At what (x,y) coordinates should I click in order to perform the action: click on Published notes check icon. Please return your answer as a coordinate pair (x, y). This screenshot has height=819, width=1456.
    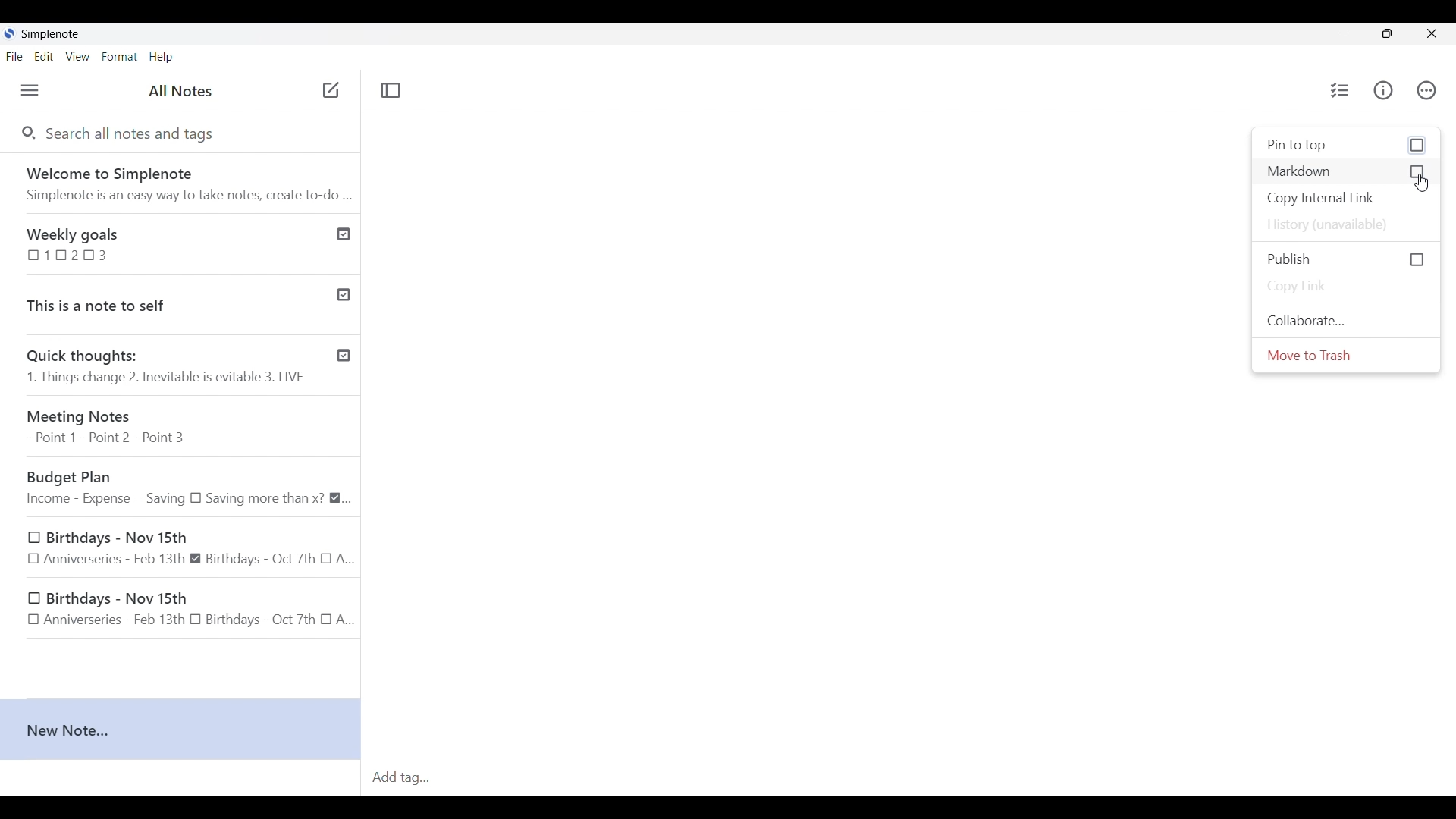
    Looking at the image, I should click on (344, 292).